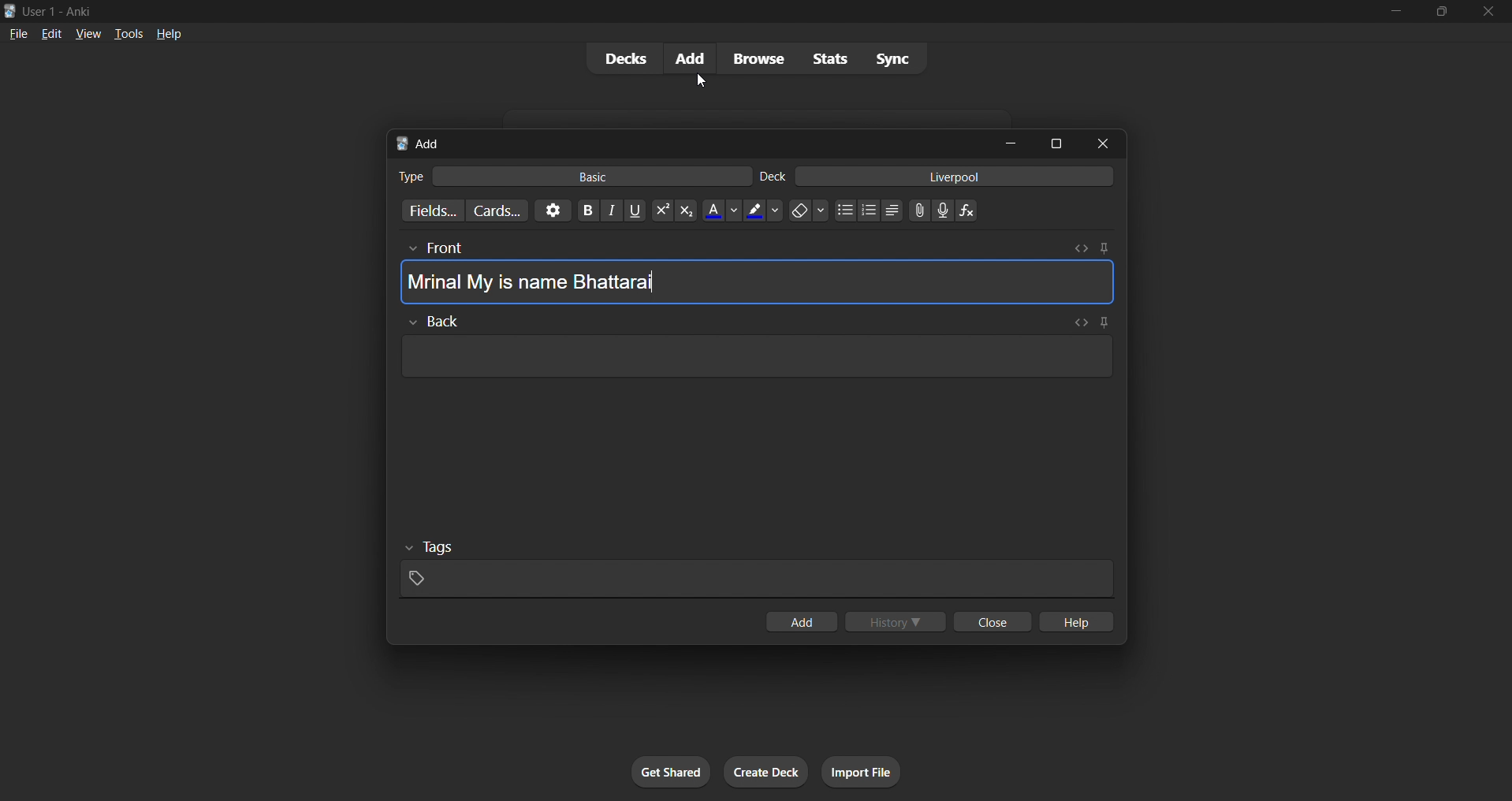 The height and width of the screenshot is (801, 1512). I want to click on help, so click(167, 33).